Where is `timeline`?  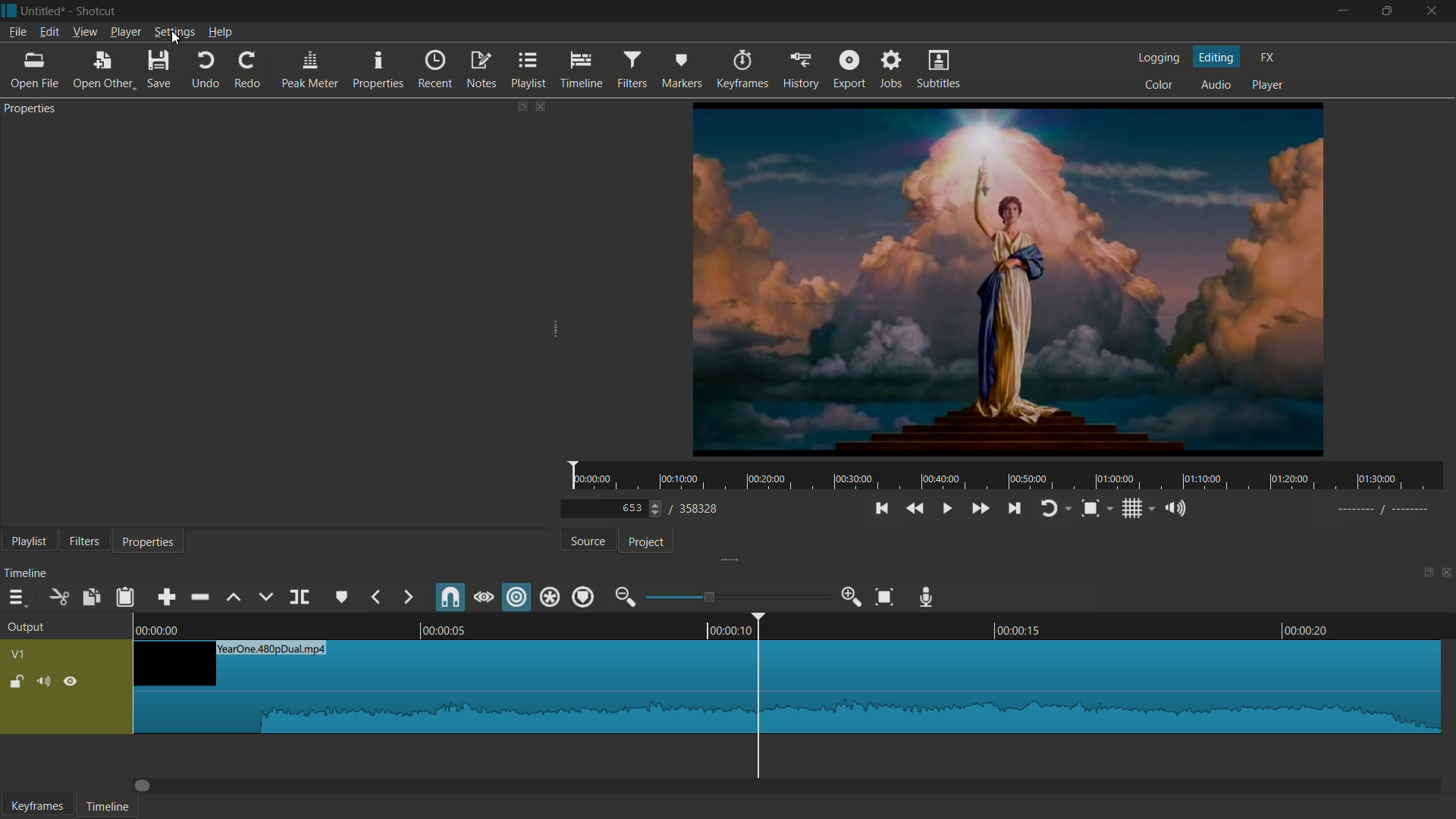
timeline is located at coordinates (26, 574).